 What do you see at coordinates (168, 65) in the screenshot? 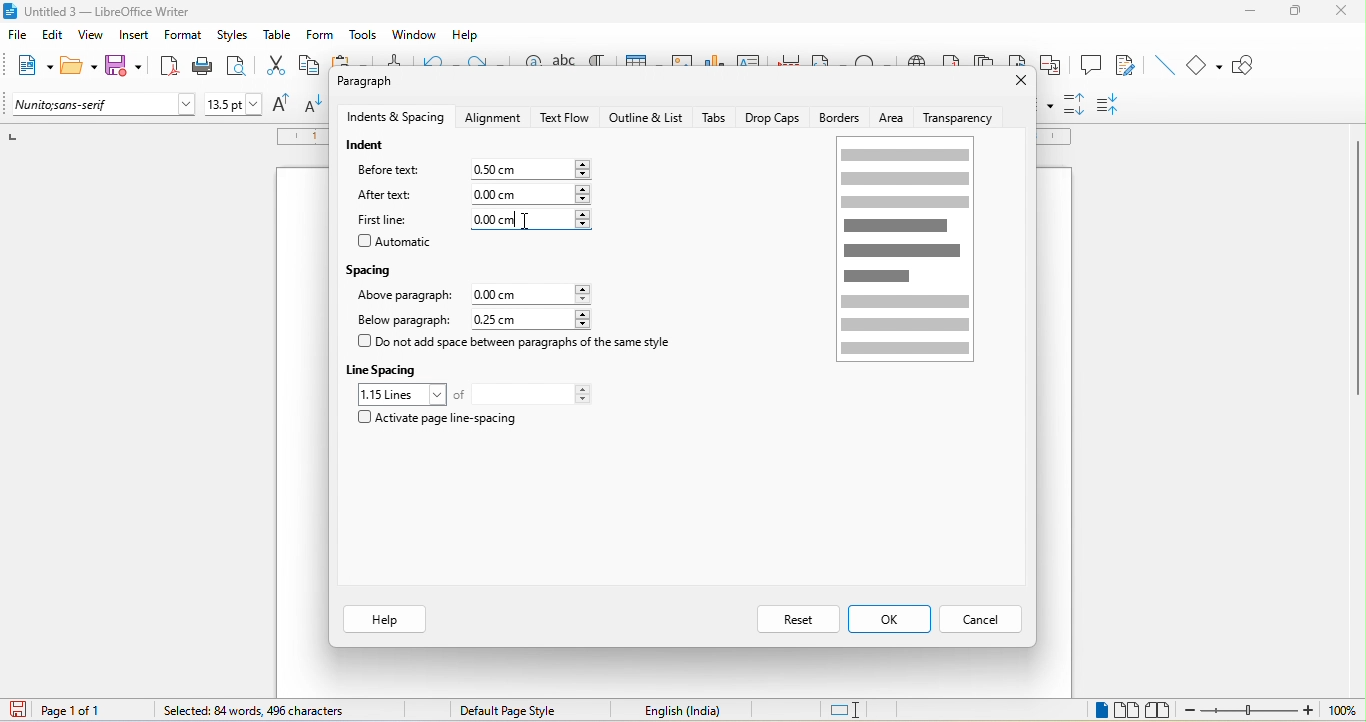
I see `export directly as pdf` at bounding box center [168, 65].